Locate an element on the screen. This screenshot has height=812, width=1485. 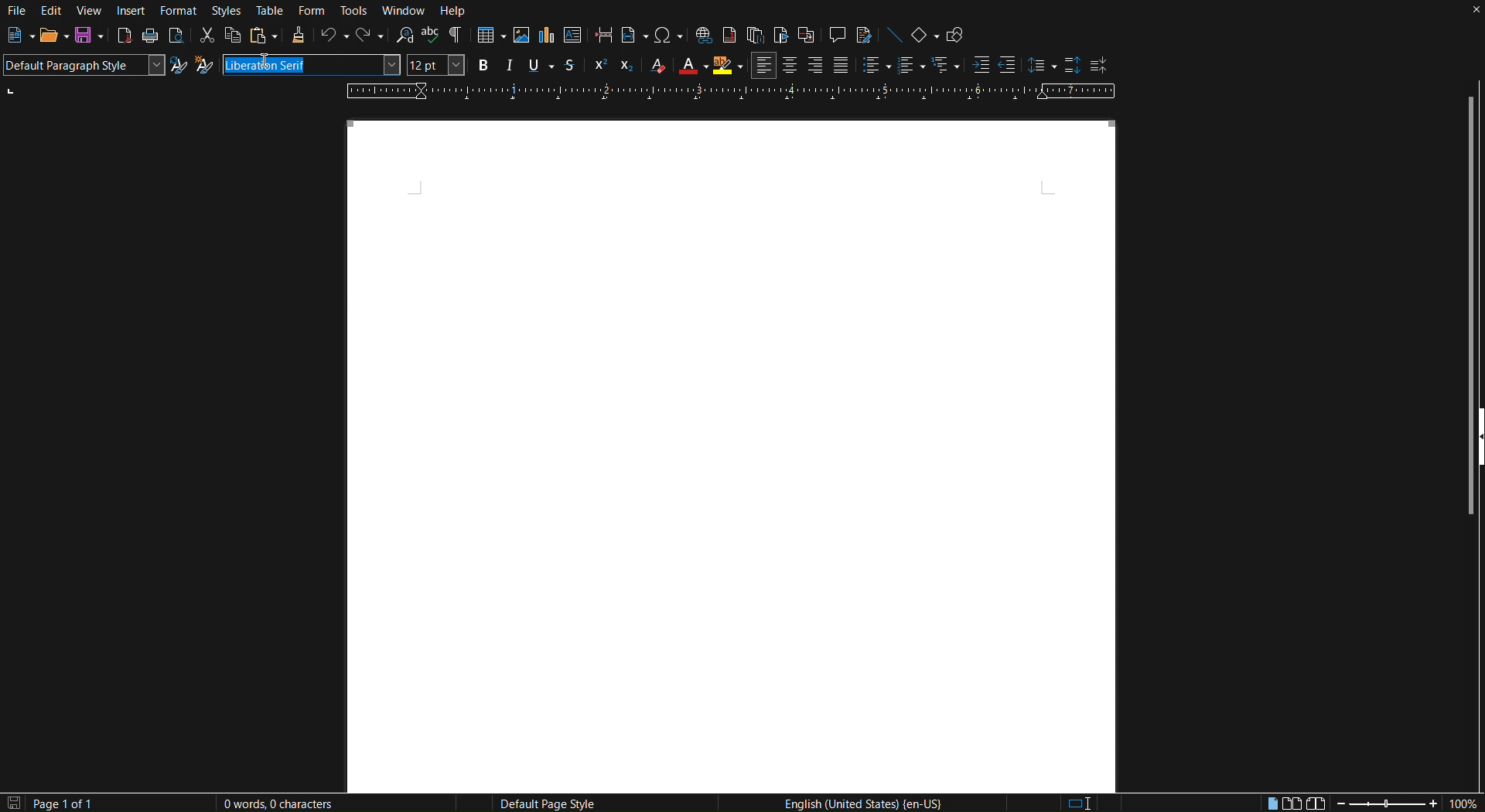
Font size - 12pt is located at coordinates (435, 65).